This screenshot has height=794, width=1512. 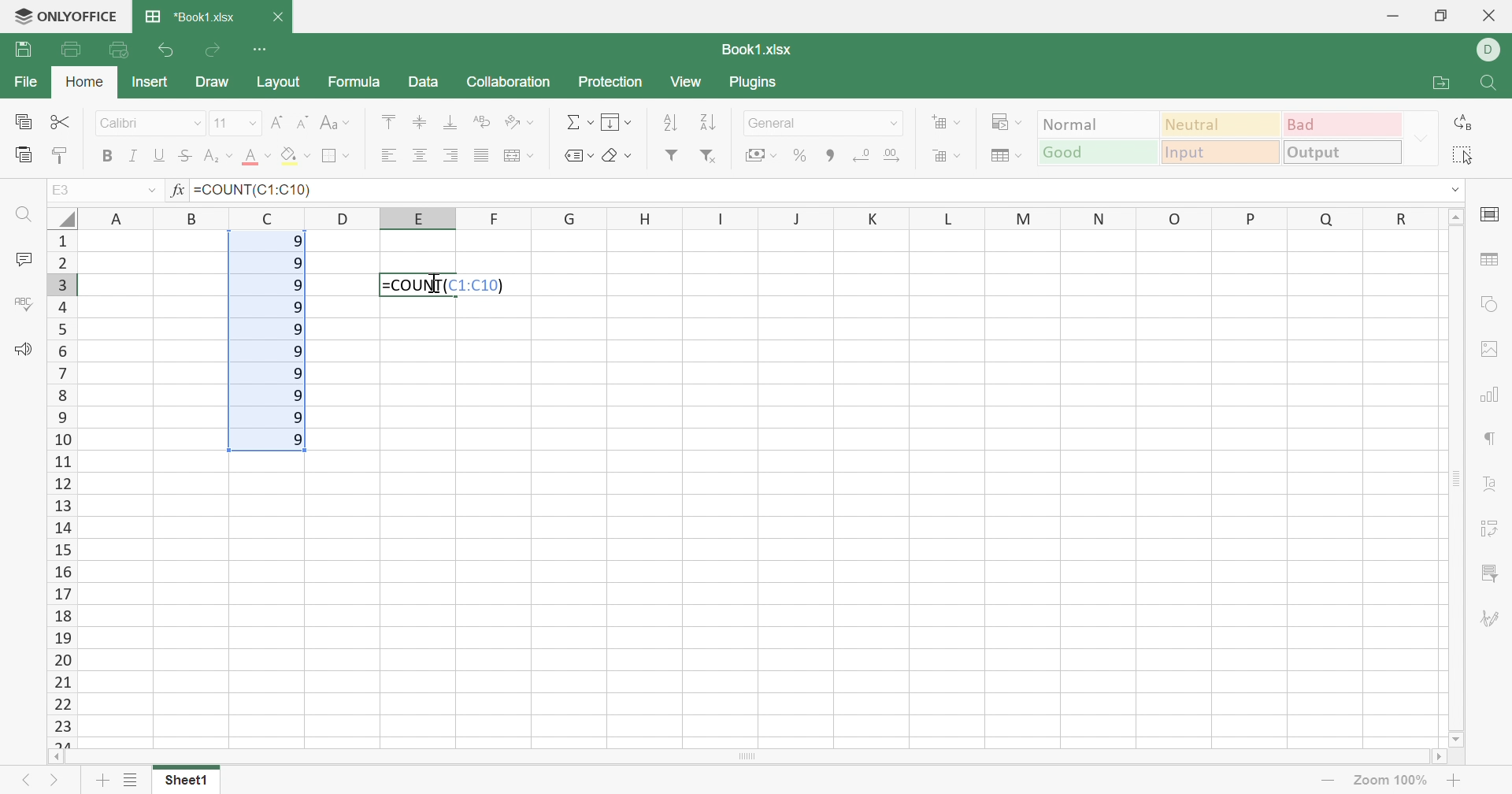 I want to click on Copy Style, so click(x=61, y=155).